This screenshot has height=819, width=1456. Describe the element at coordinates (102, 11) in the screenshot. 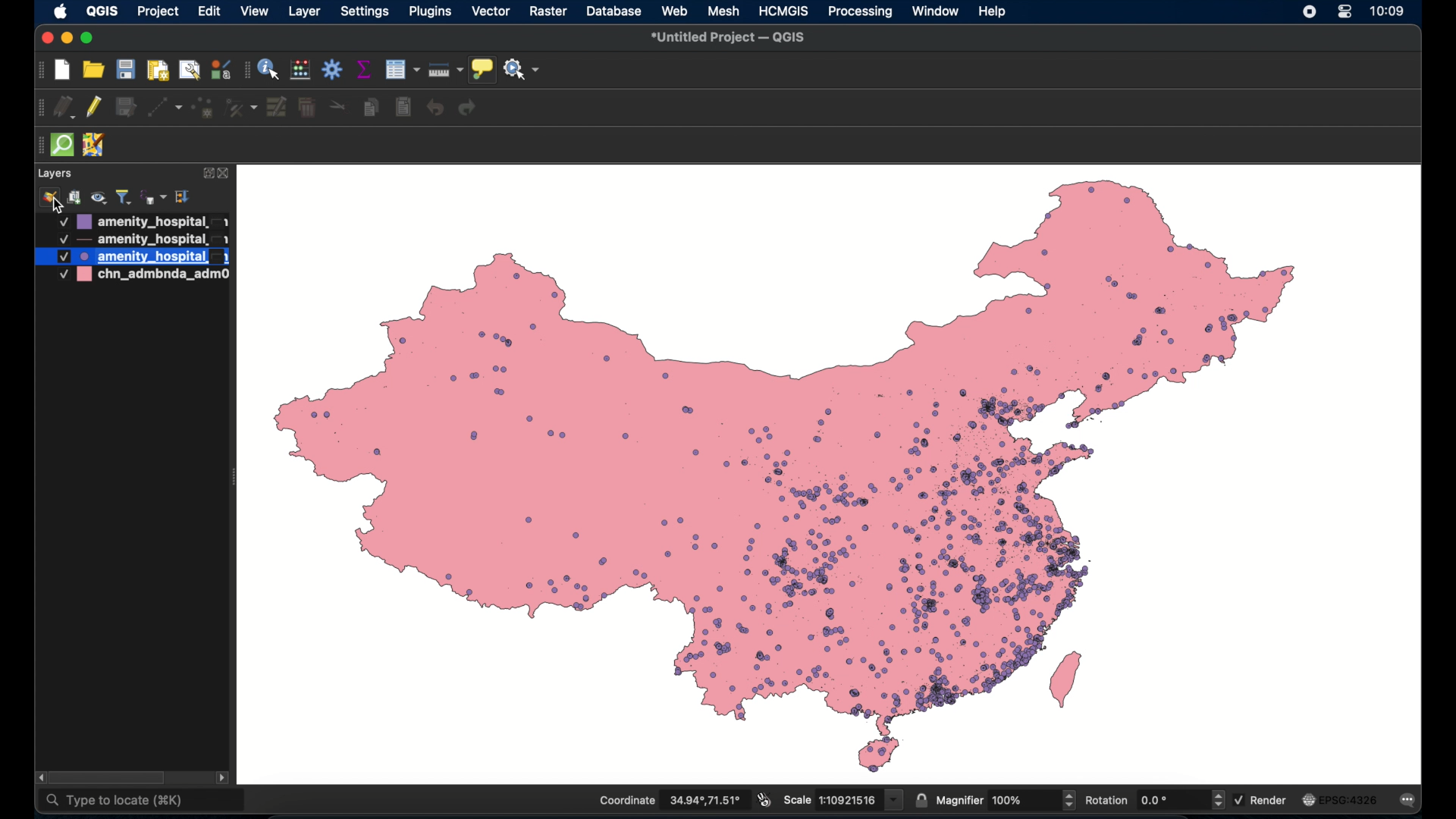

I see `QGIS` at that location.